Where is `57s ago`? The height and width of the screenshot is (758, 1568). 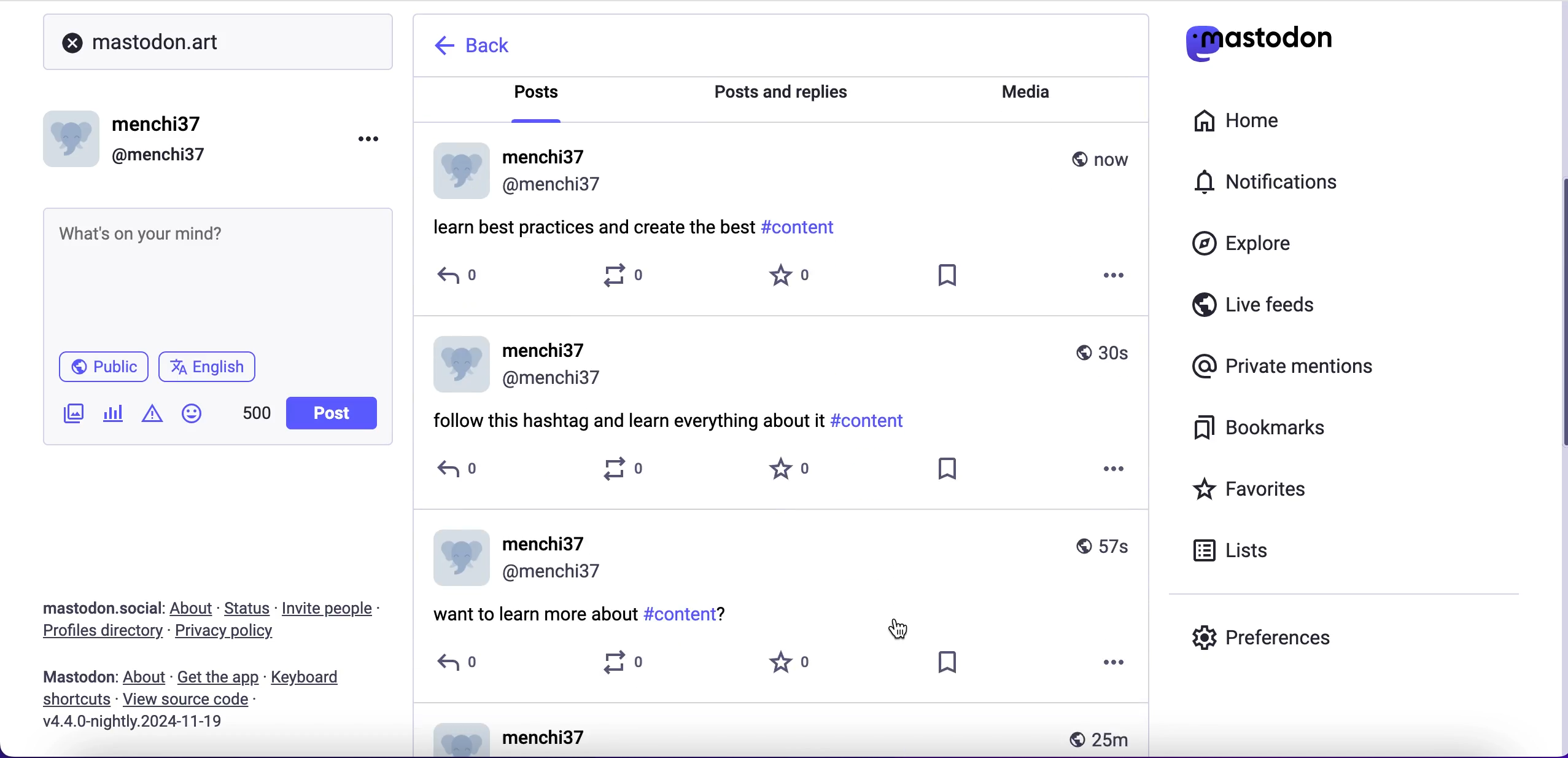
57s ago is located at coordinates (1104, 550).